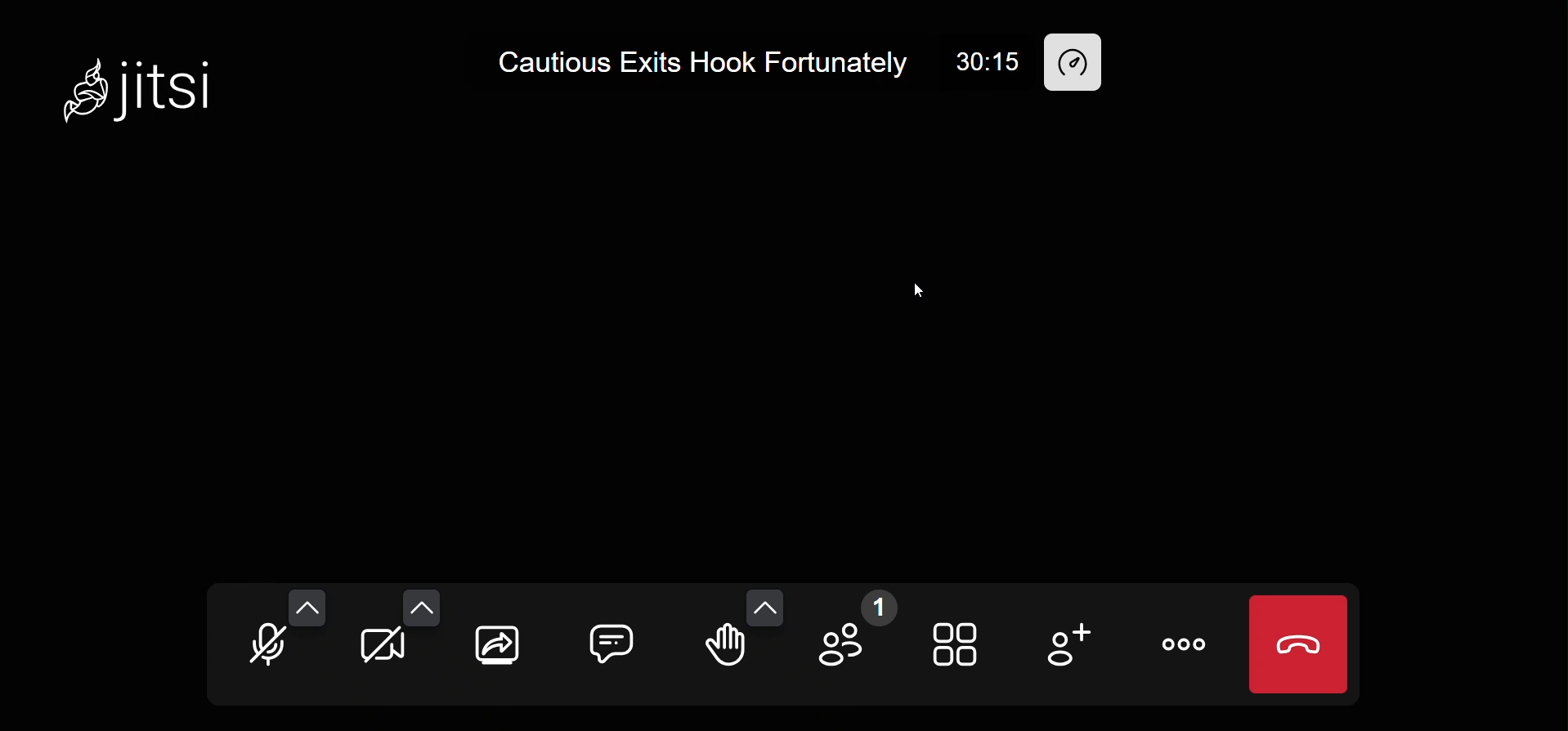 This screenshot has width=1568, height=731. I want to click on more audio option, so click(306, 603).